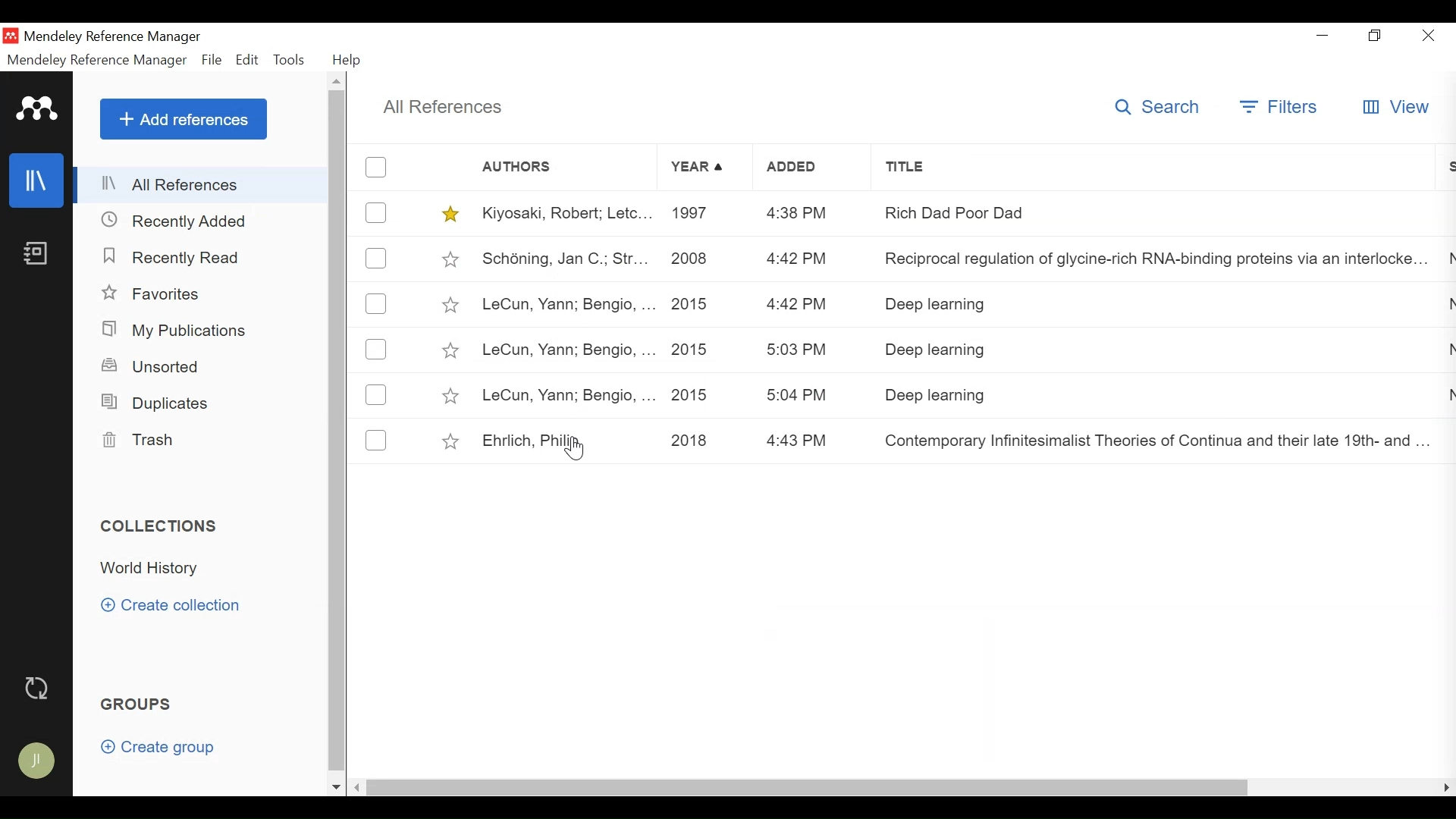 This screenshot has height=819, width=1456. What do you see at coordinates (1148, 396) in the screenshot?
I see `Deep learning` at bounding box center [1148, 396].